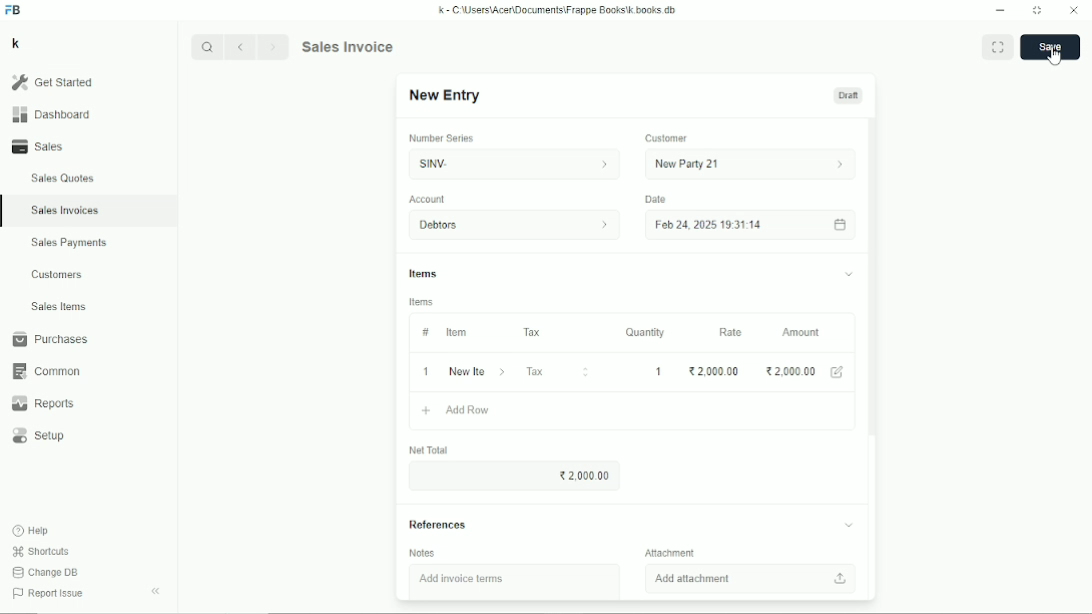 This screenshot has width=1092, height=614. Describe the element at coordinates (1074, 11) in the screenshot. I see `Close` at that location.